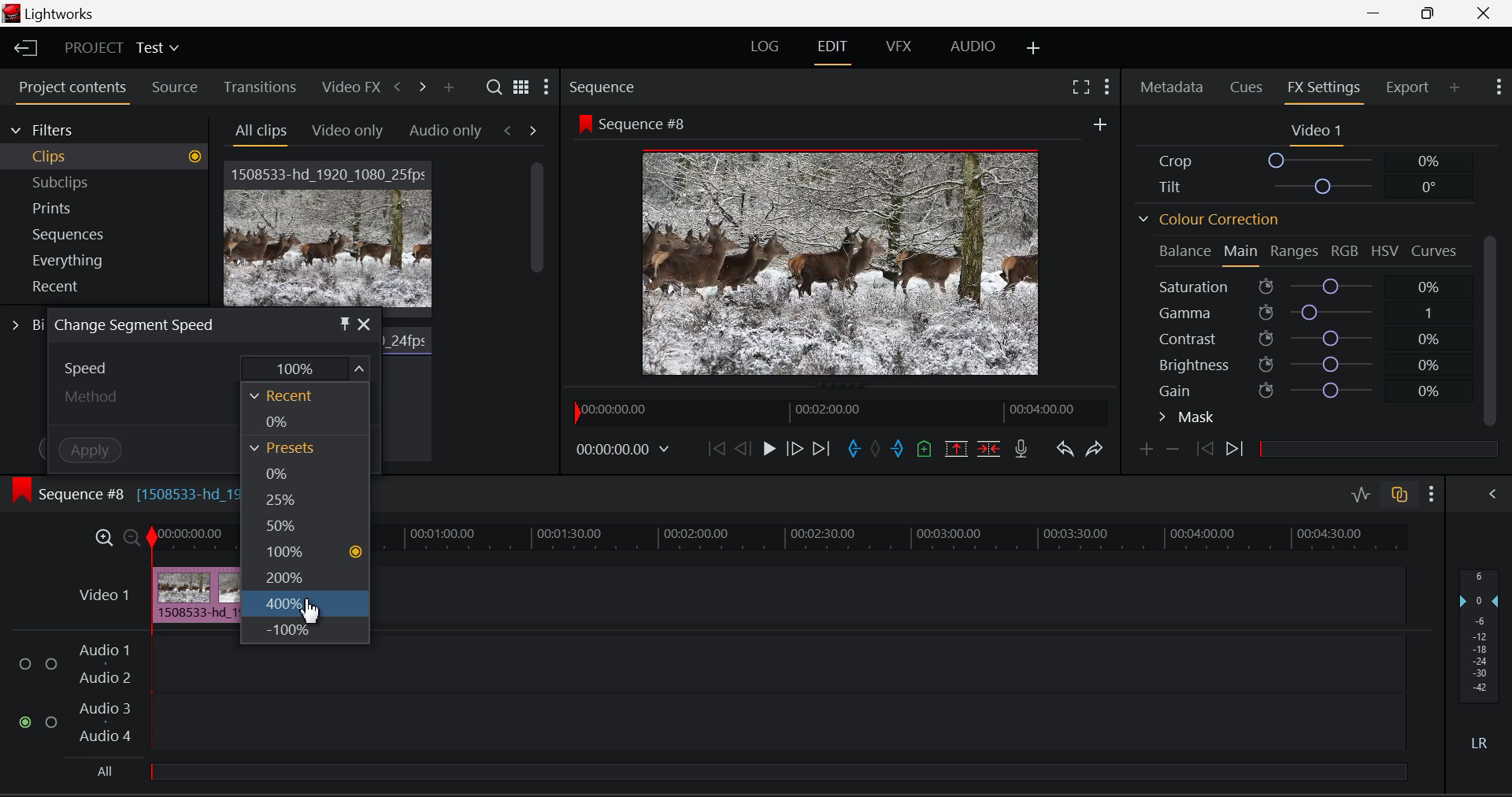 Image resolution: width=1512 pixels, height=797 pixels. Describe the element at coordinates (445, 132) in the screenshot. I see `Audio only` at that location.